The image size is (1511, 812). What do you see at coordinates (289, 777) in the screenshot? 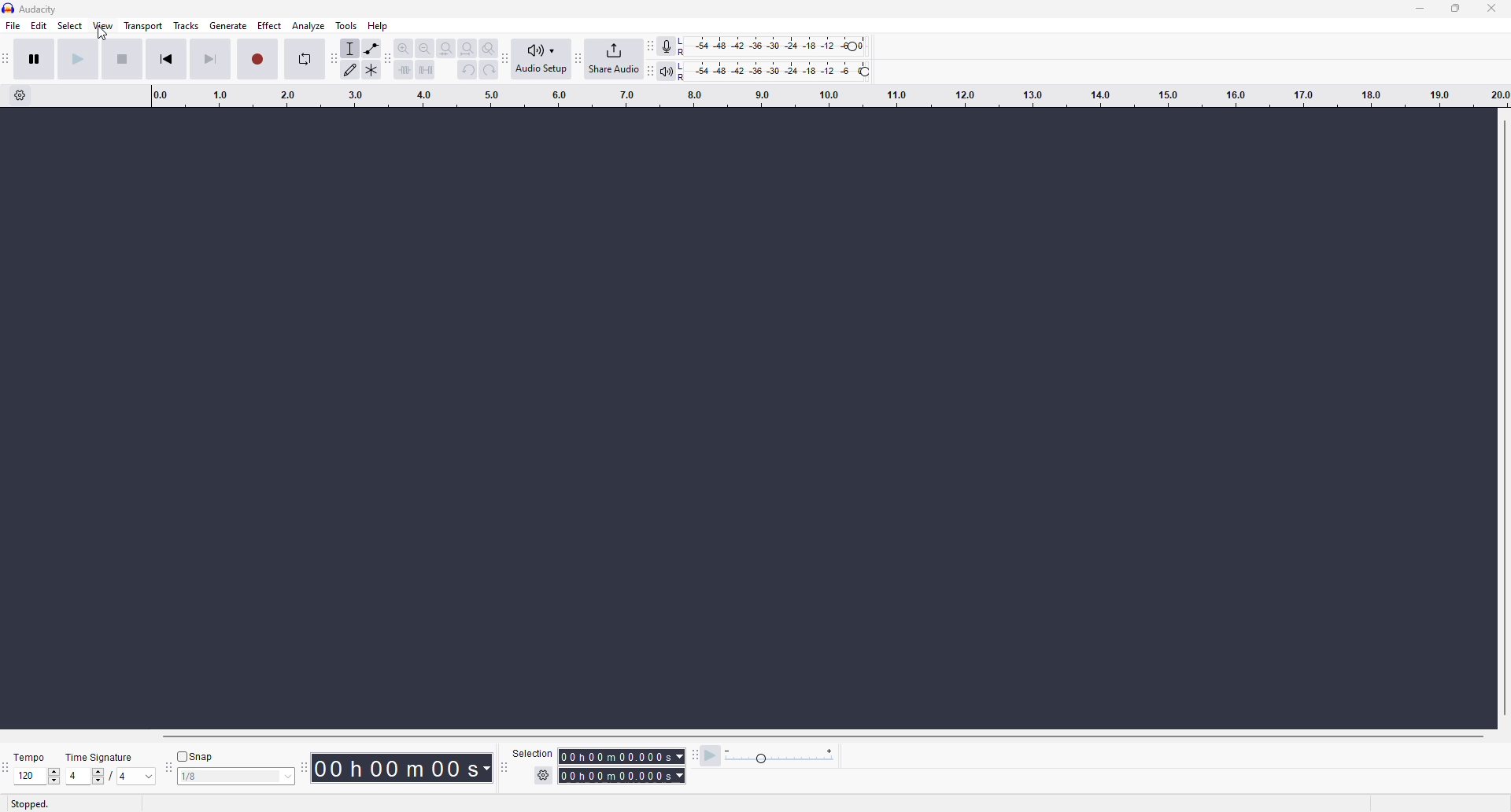
I see `drop down` at bounding box center [289, 777].